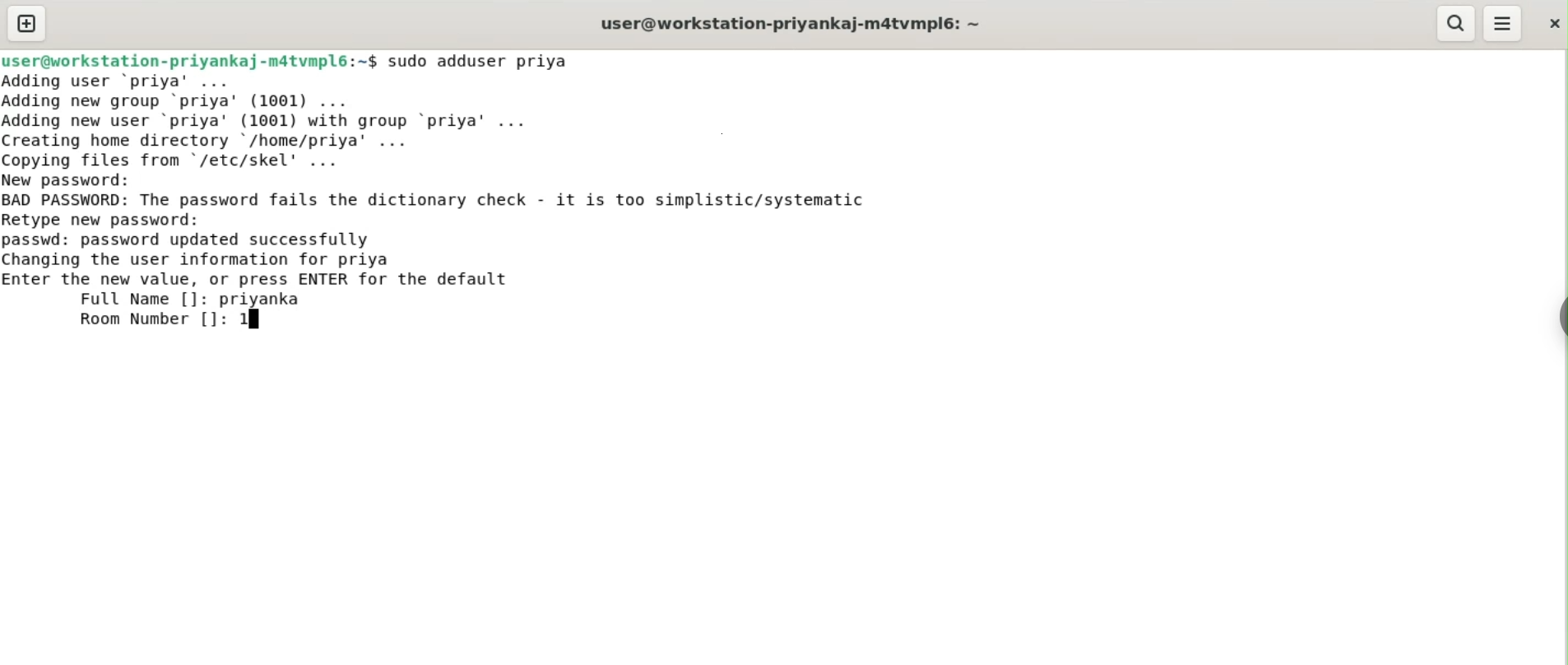 The height and width of the screenshot is (665, 1568). What do you see at coordinates (295, 257) in the screenshot?
I see `passwd: password updated successfully    changing the user information for priya  enter the new value, or press ENTER for default value` at bounding box center [295, 257].